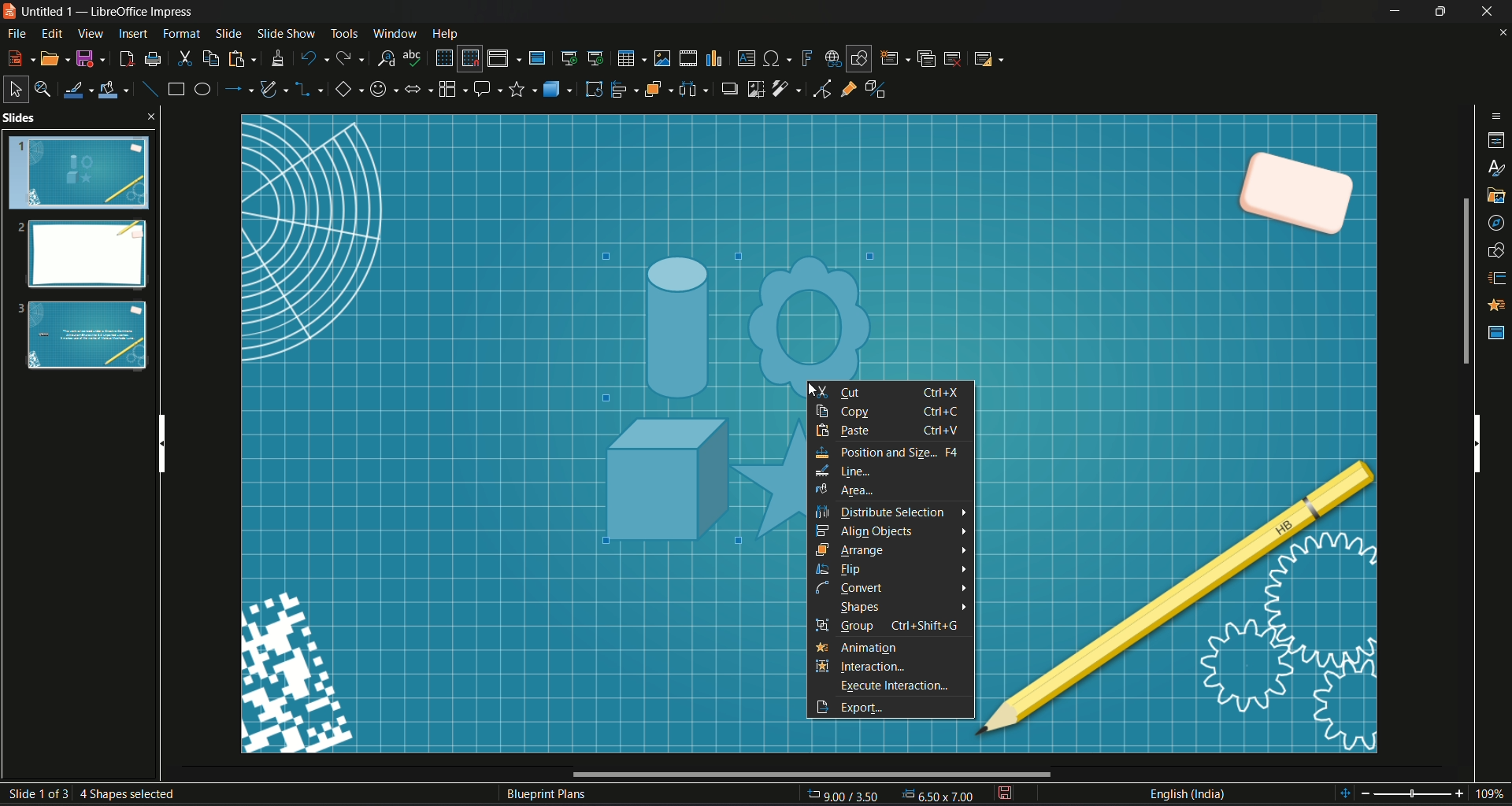 The height and width of the screenshot is (806, 1512). I want to click on copy, so click(895, 412).